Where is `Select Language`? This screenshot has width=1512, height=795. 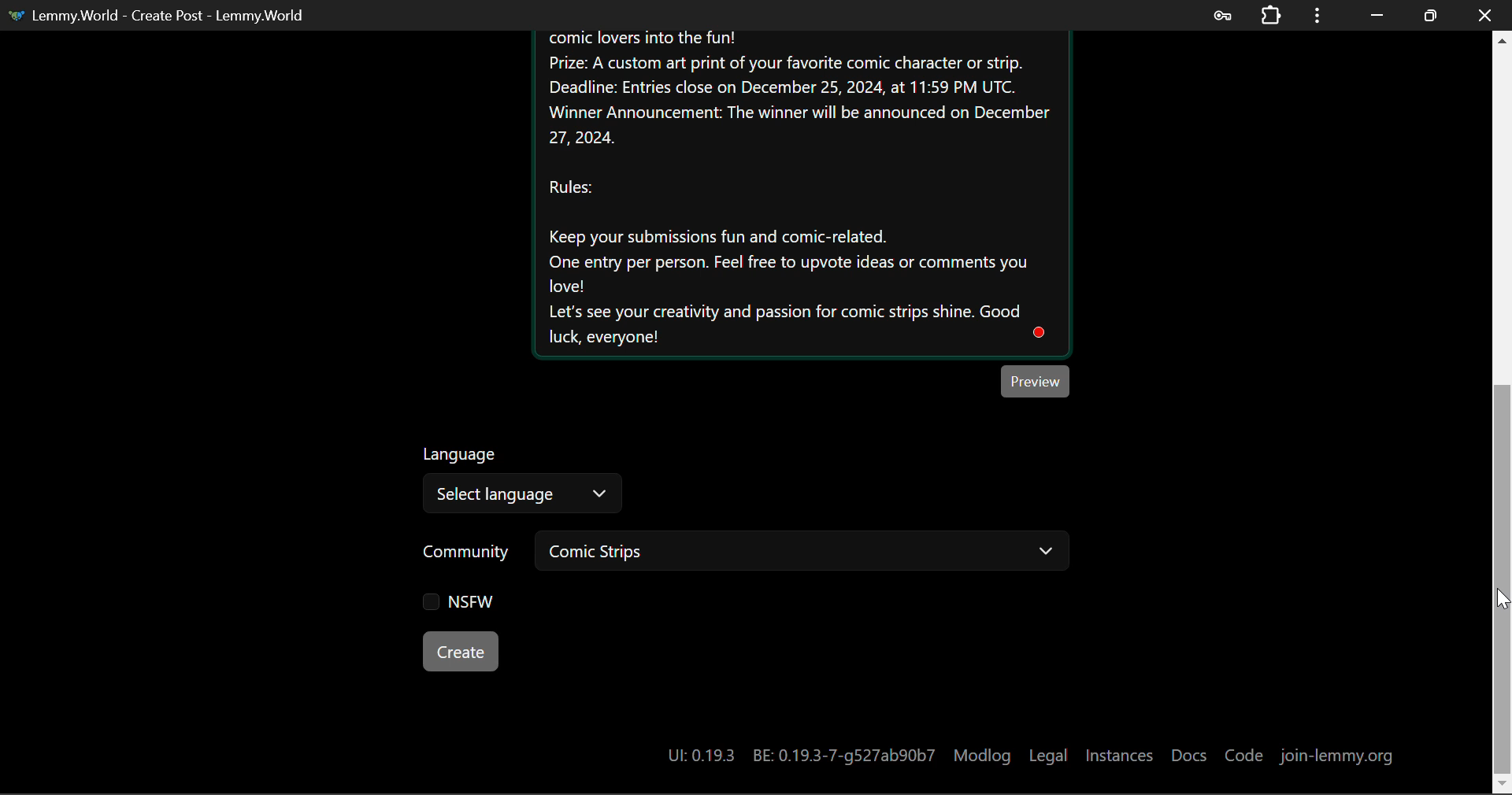 Select Language is located at coordinates (521, 494).